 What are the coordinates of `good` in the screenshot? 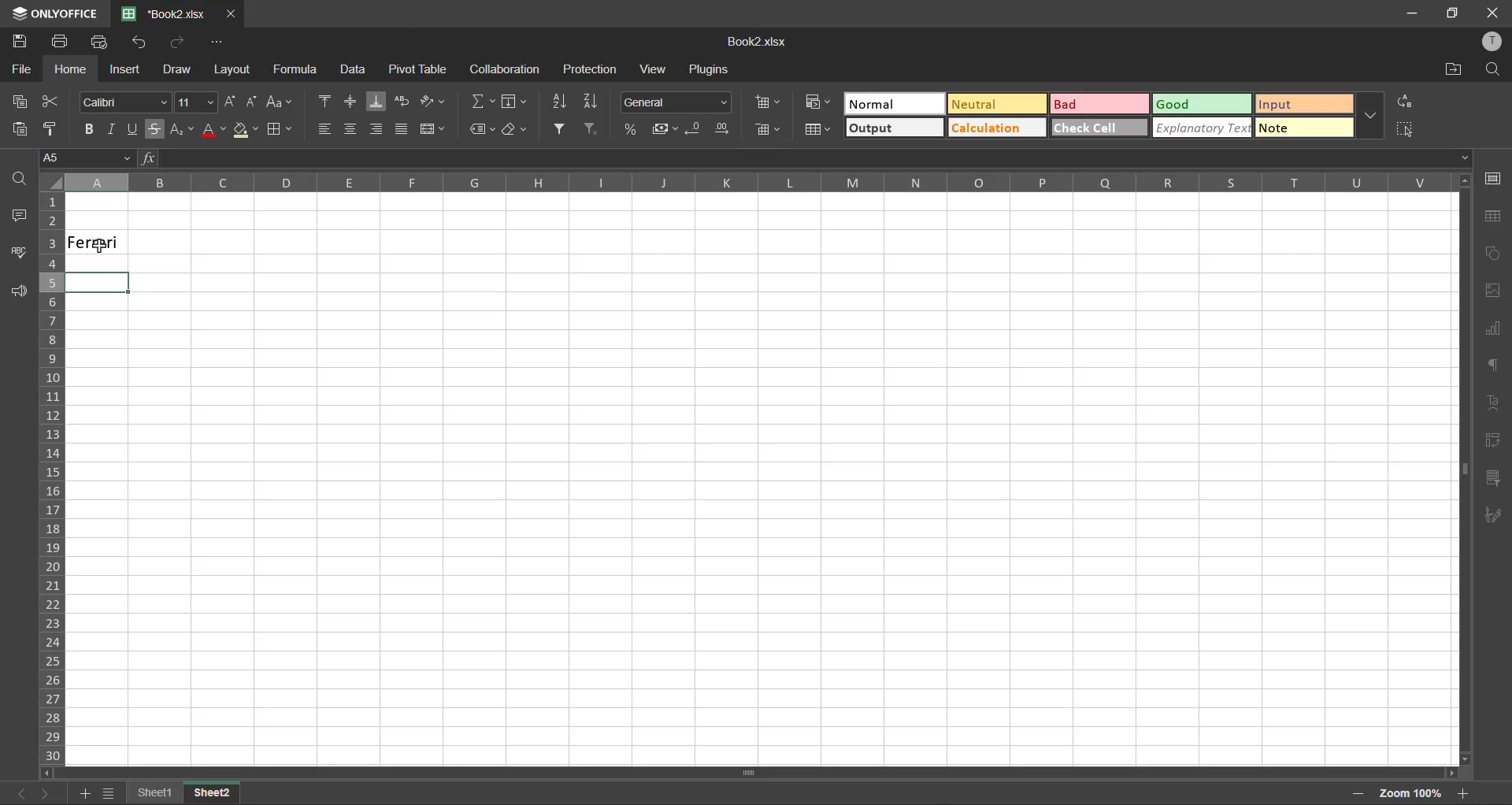 It's located at (1185, 103).